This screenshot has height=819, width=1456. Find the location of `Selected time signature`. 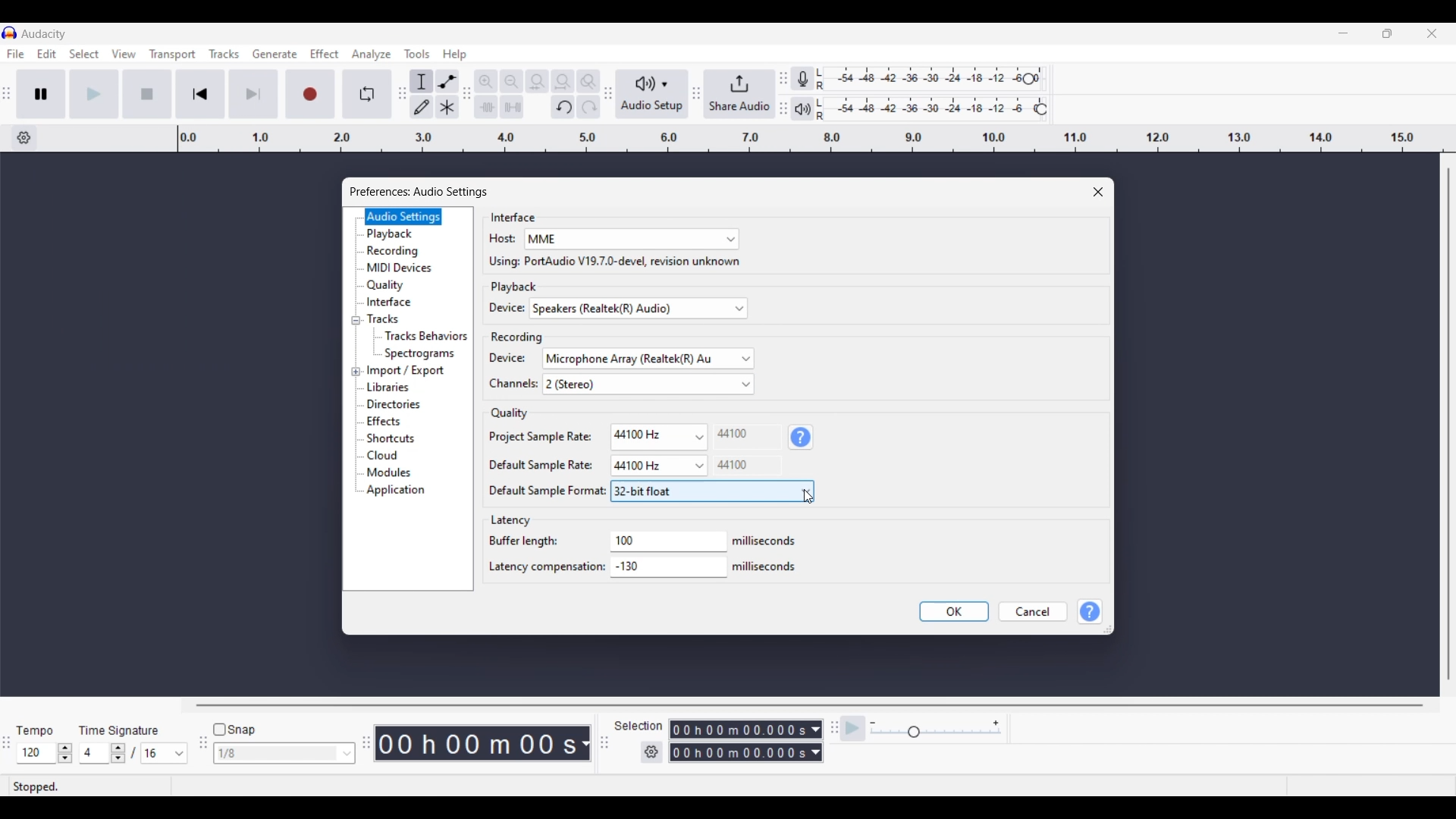

Selected time signature is located at coordinates (96, 754).